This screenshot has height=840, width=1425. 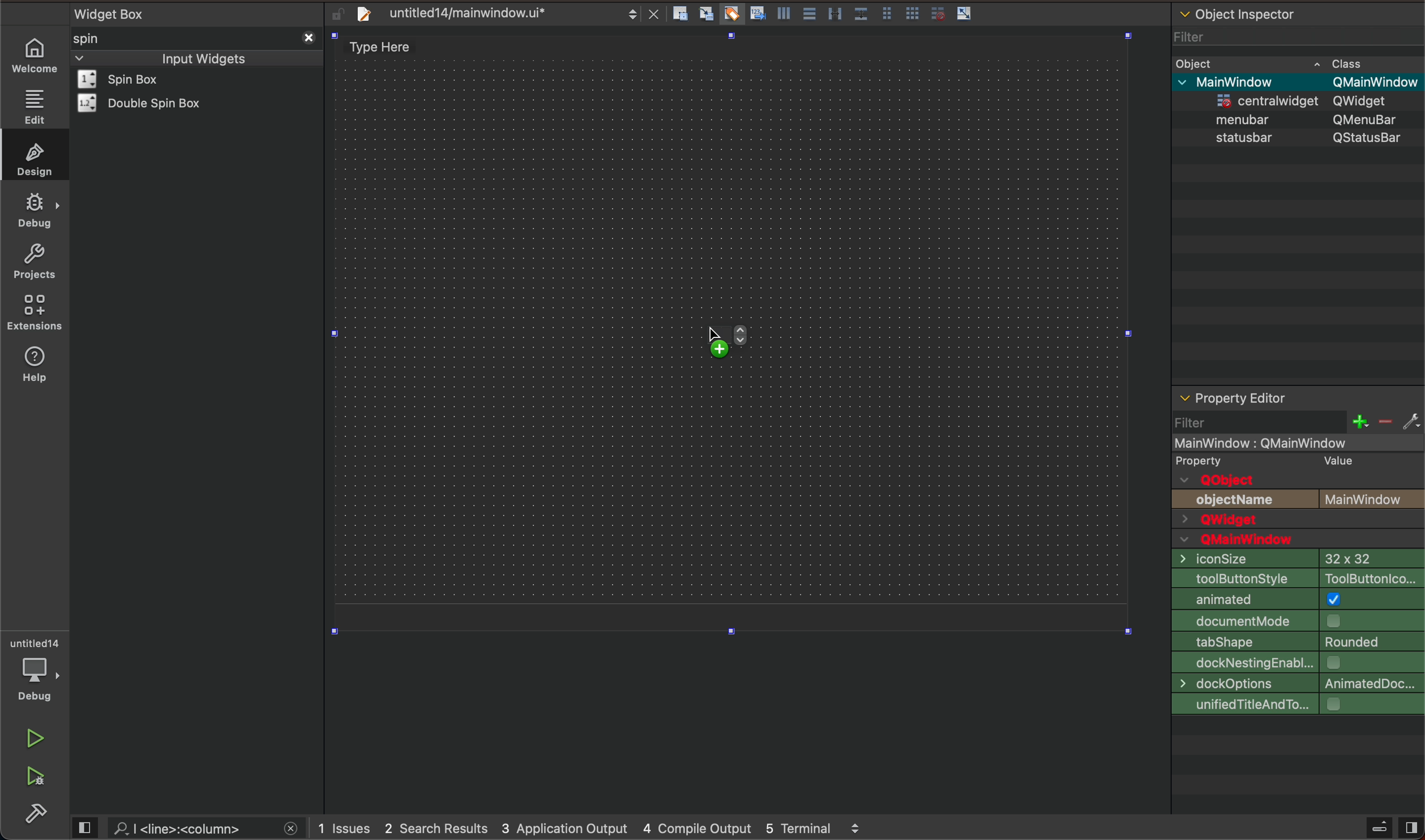 What do you see at coordinates (32, 157) in the screenshot?
I see `design` at bounding box center [32, 157].